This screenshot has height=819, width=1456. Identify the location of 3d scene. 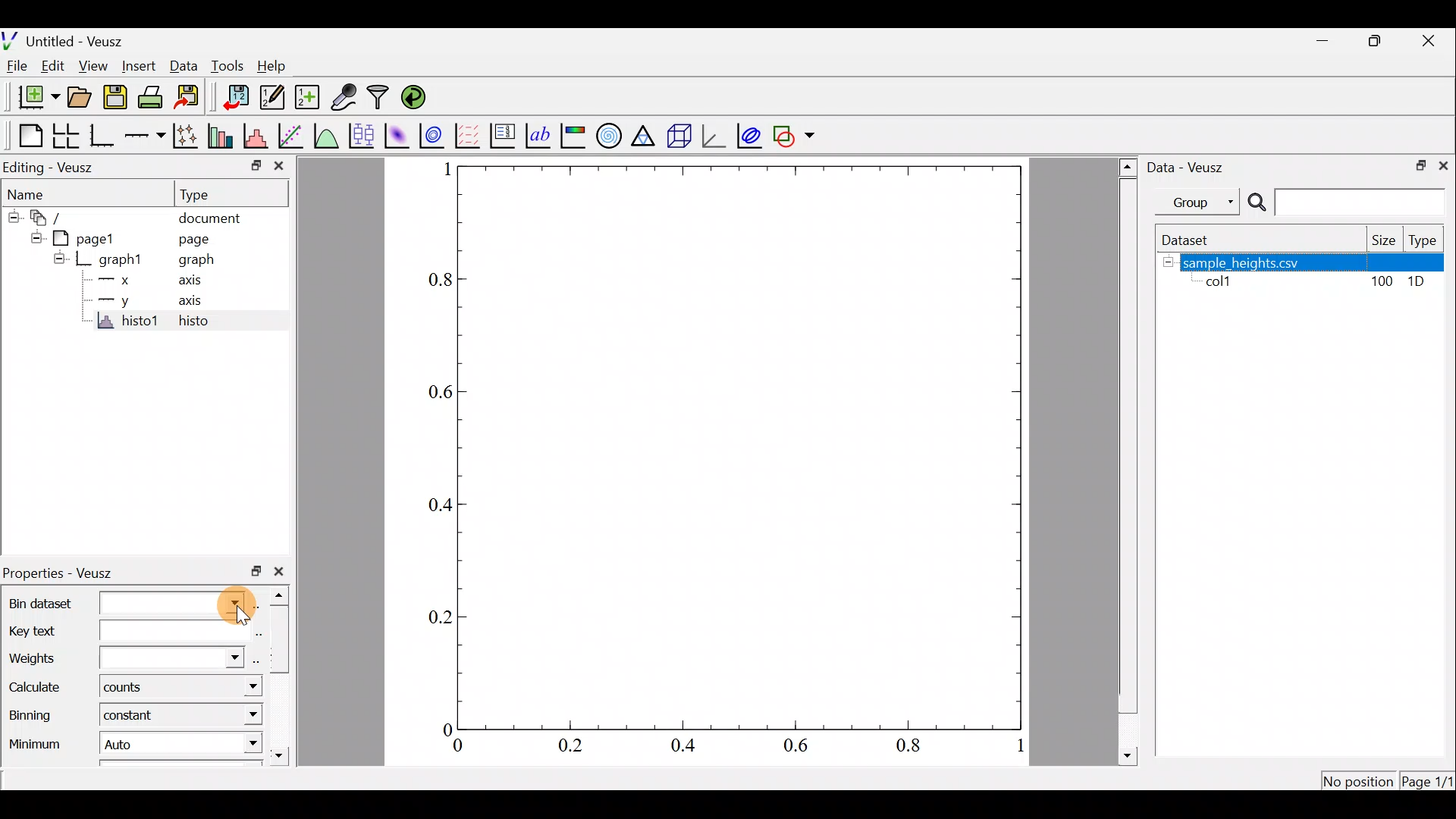
(682, 135).